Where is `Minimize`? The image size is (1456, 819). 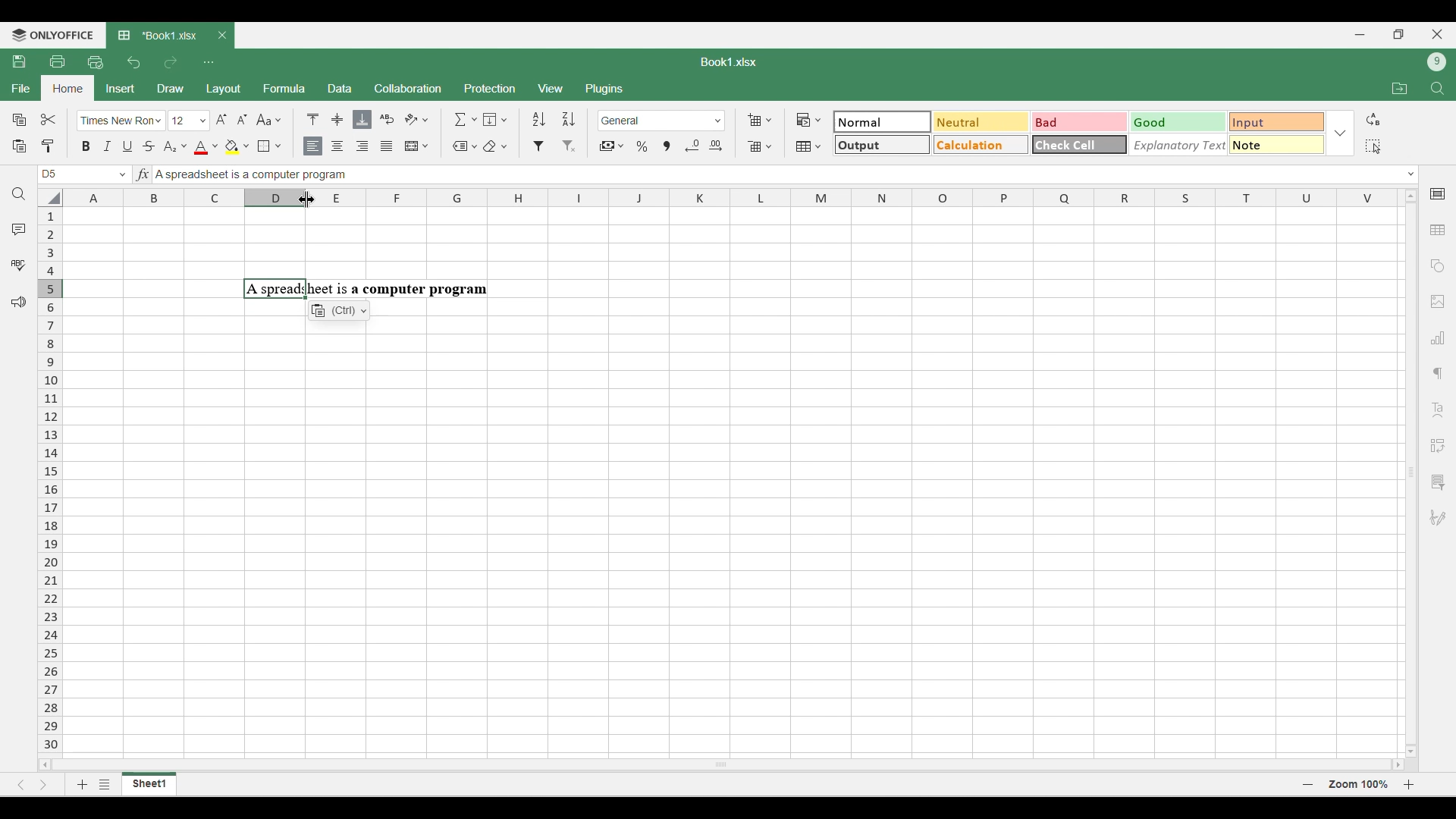
Minimize is located at coordinates (1360, 35).